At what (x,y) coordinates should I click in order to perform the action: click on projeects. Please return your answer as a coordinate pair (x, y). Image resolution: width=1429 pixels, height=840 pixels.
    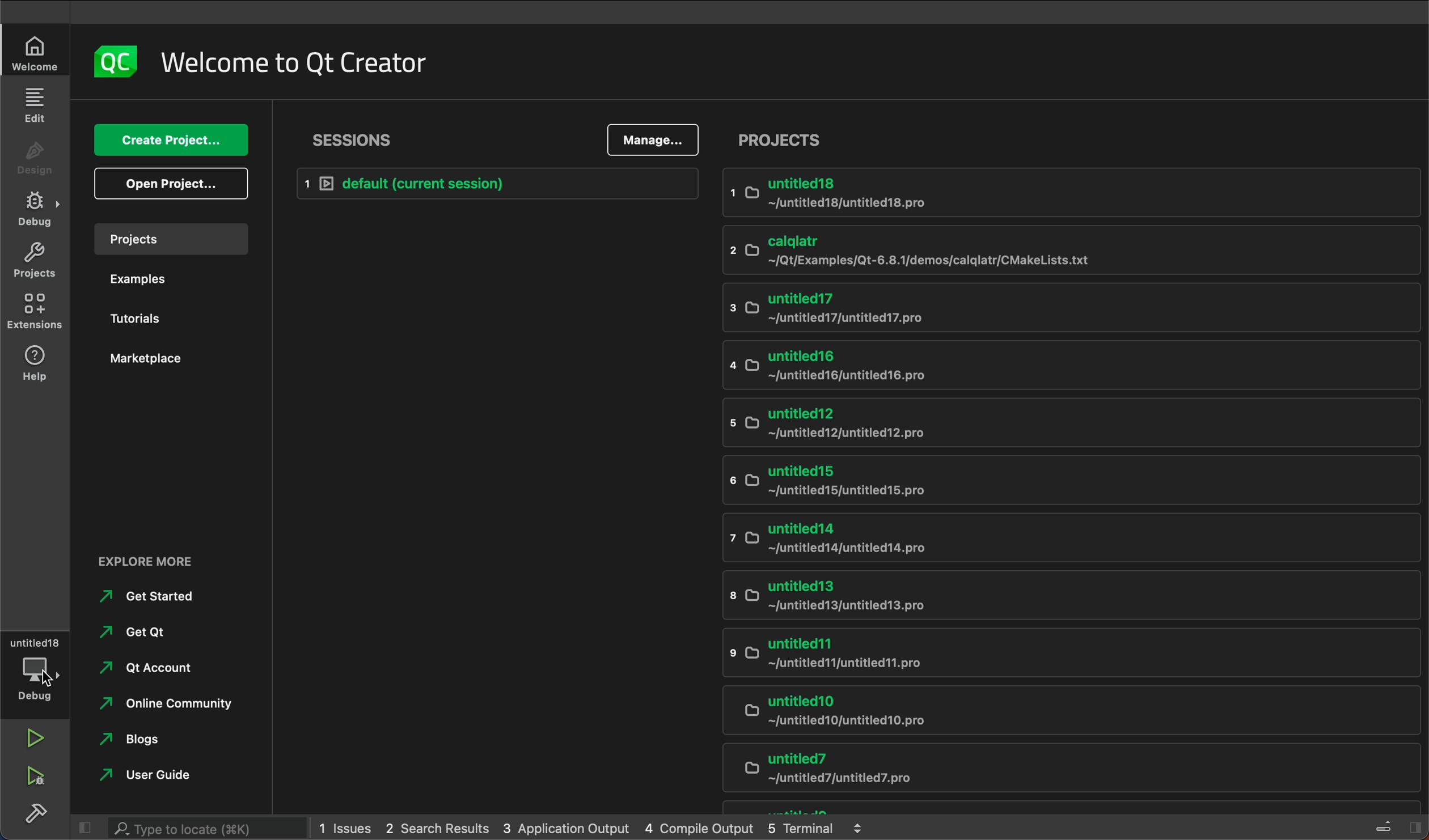
    Looking at the image, I should click on (1071, 139).